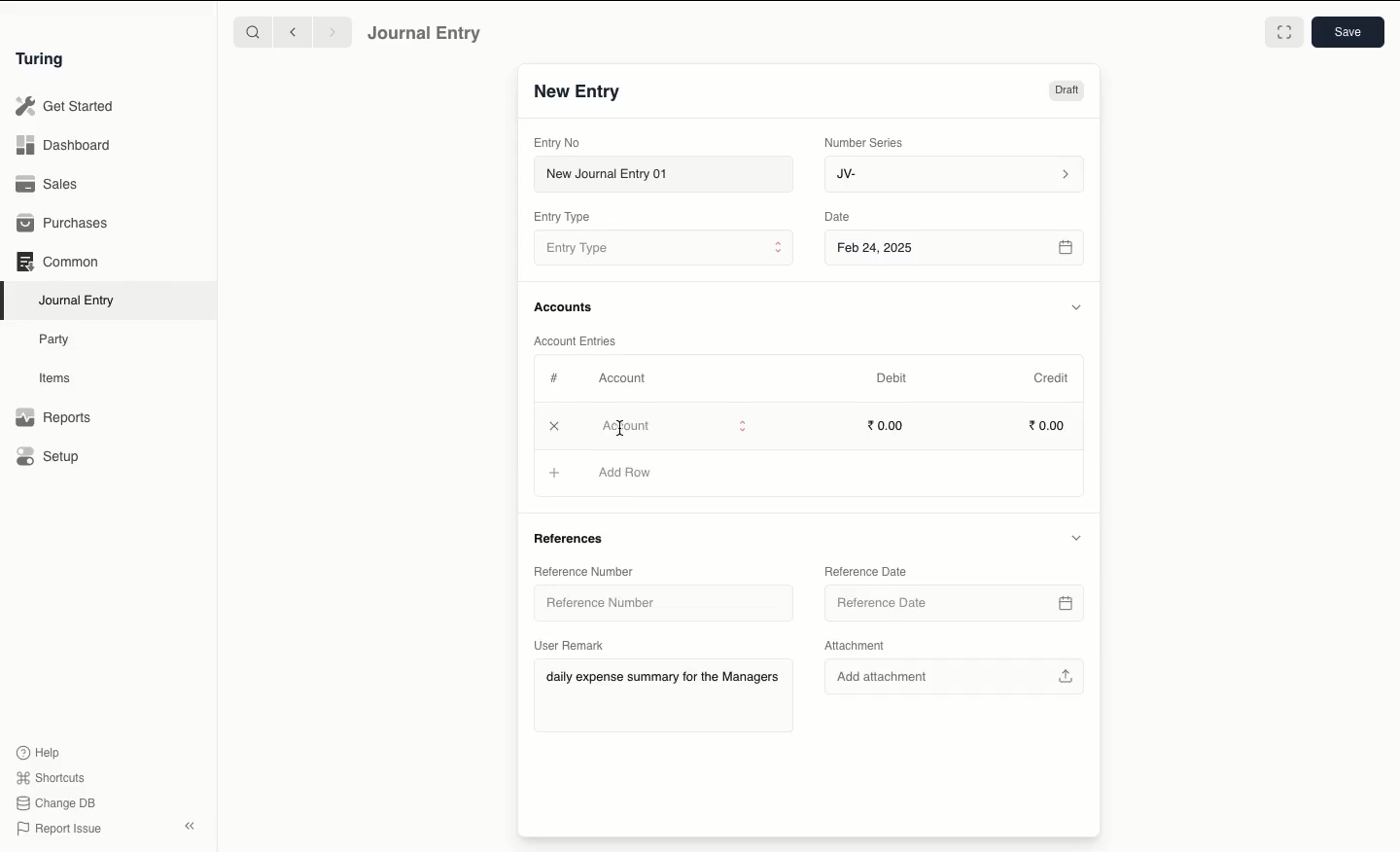 Image resolution: width=1400 pixels, height=852 pixels. What do you see at coordinates (663, 247) in the screenshot?
I see `Entry Type` at bounding box center [663, 247].